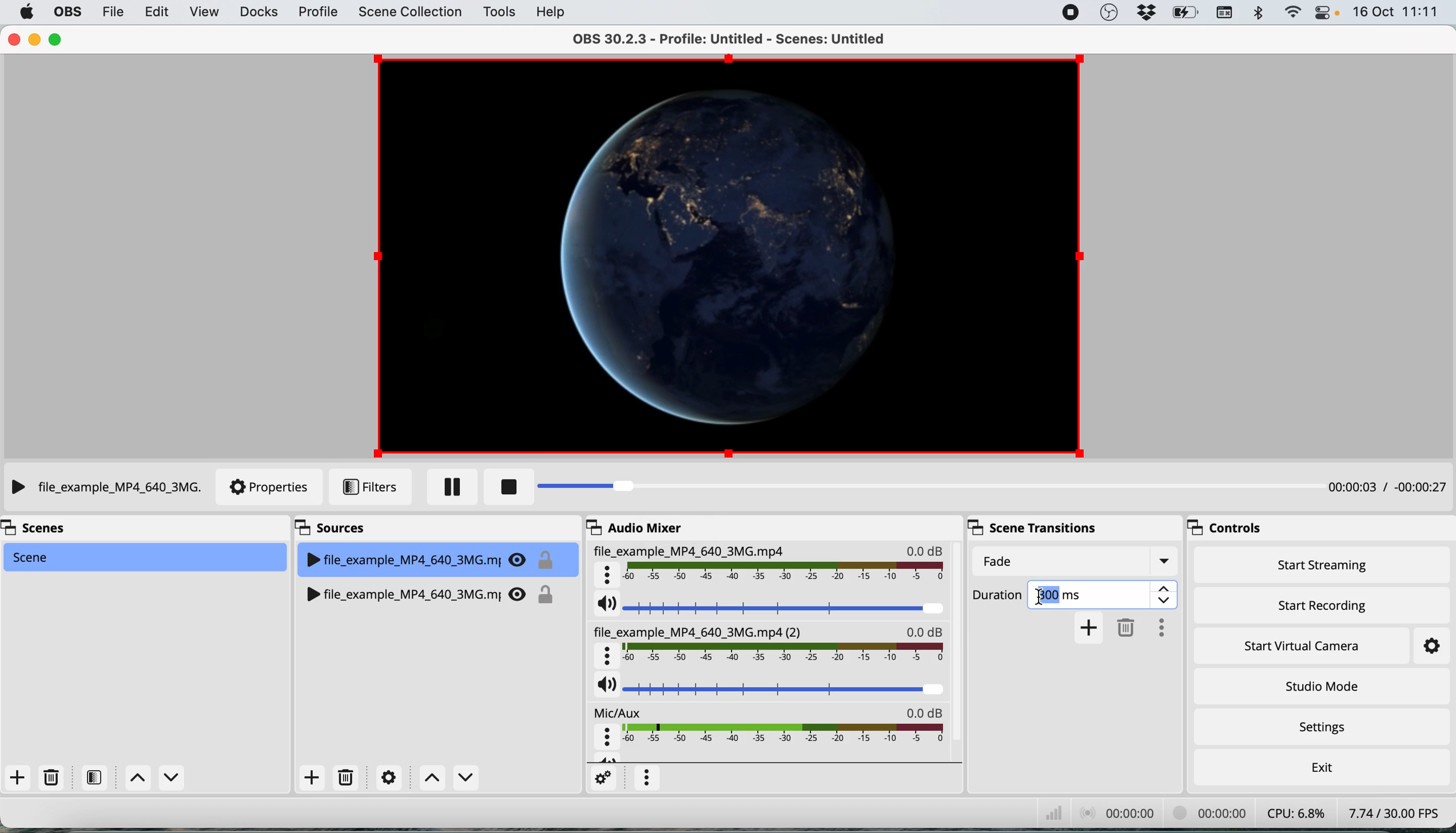  I want to click on maximise, so click(54, 39).